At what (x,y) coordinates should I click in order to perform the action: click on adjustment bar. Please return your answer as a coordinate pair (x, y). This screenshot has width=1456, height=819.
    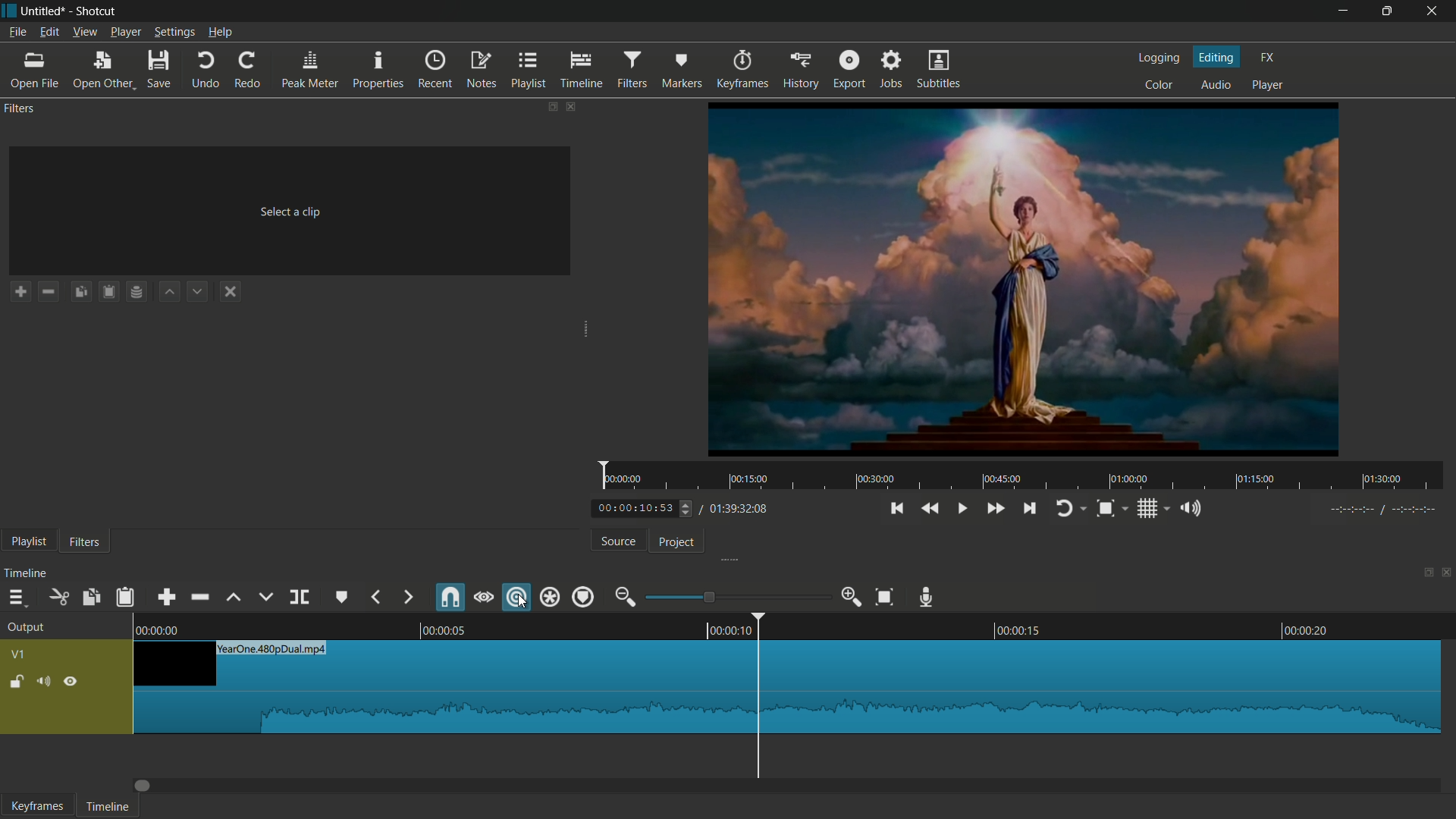
    Looking at the image, I should click on (738, 596).